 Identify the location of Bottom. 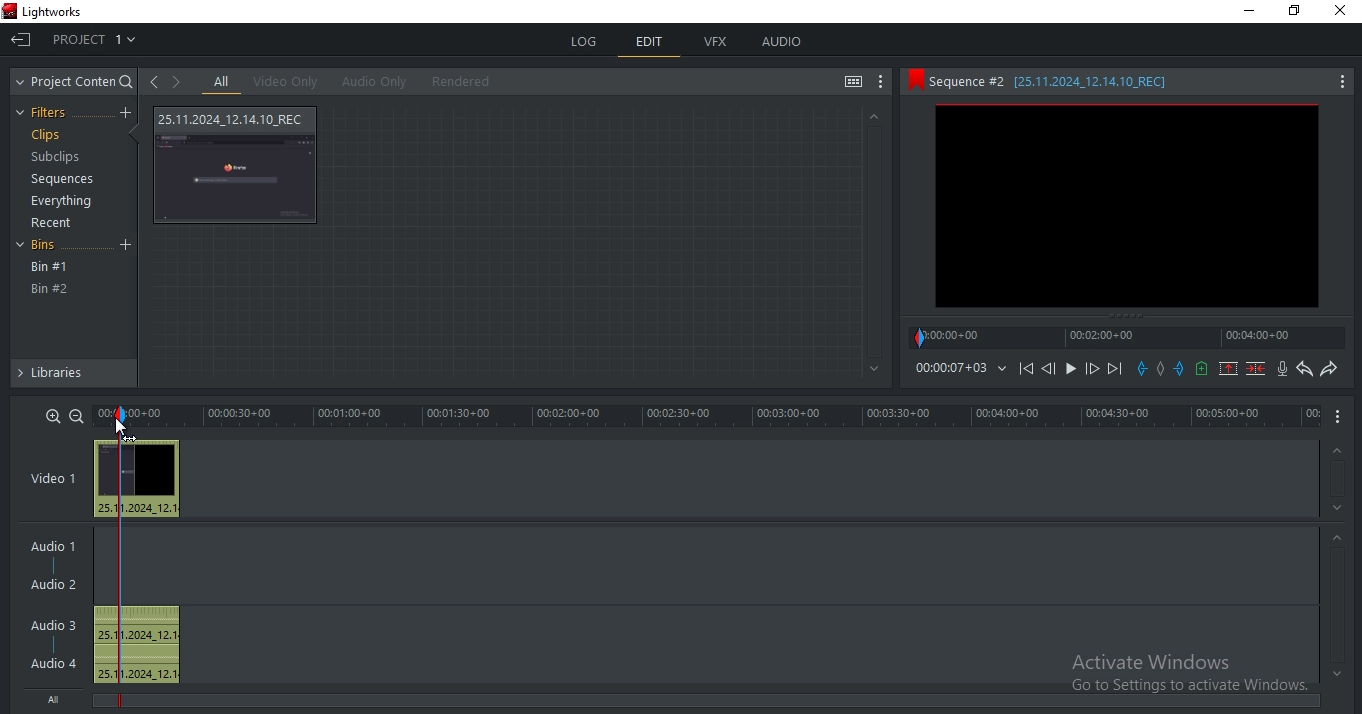
(871, 369).